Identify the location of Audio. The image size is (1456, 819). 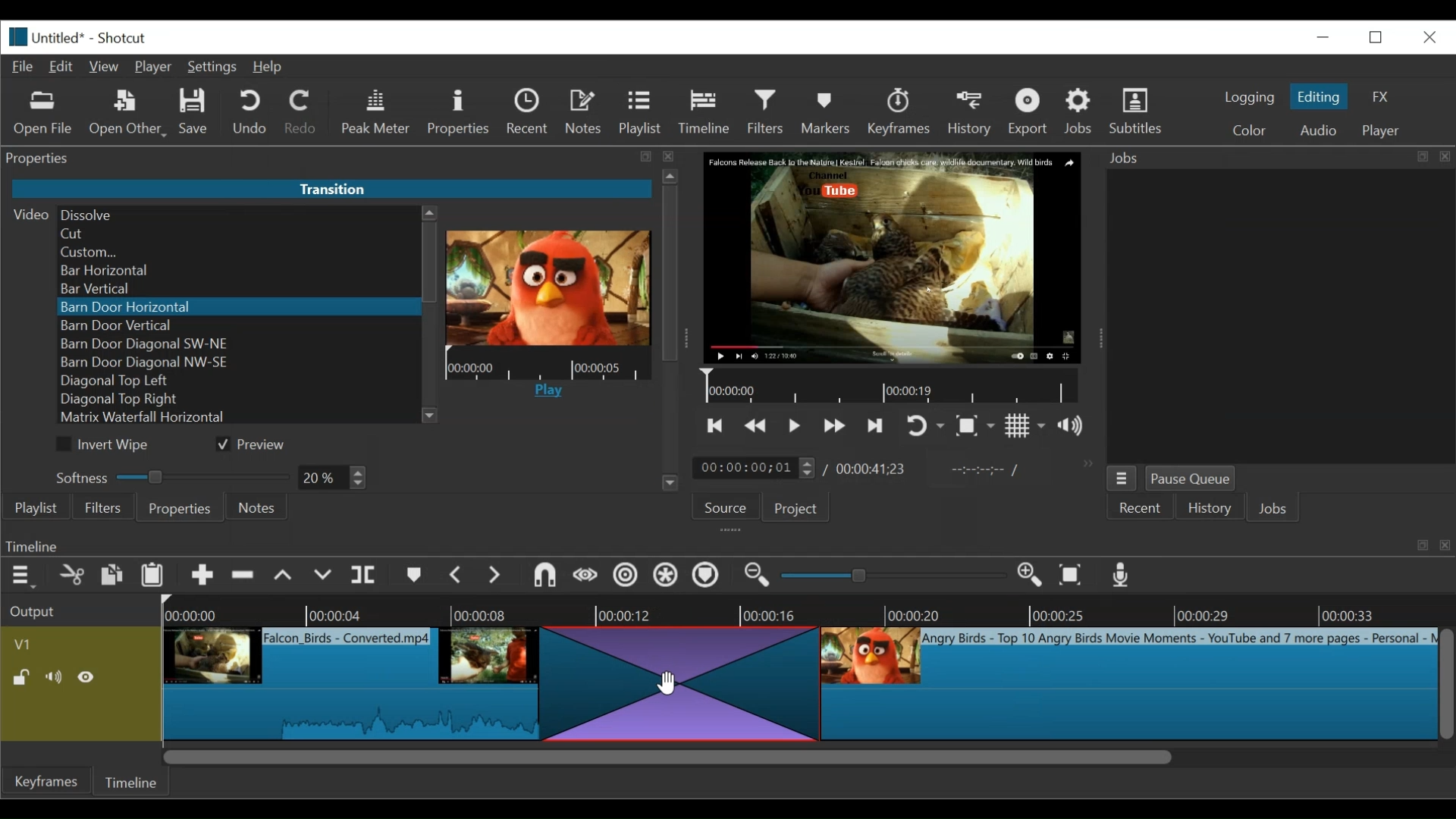
(1317, 130).